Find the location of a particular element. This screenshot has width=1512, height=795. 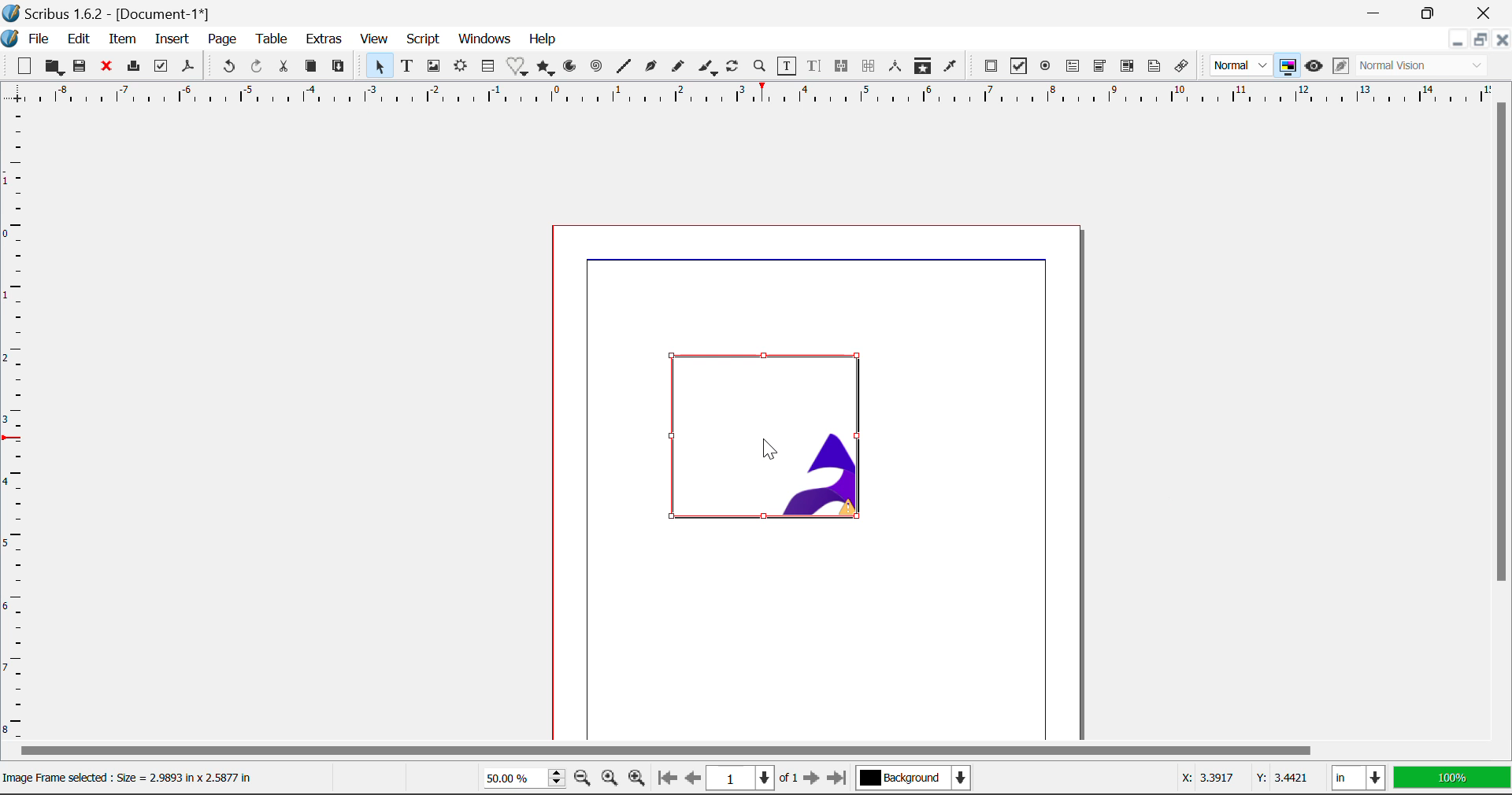

Insert Table is located at coordinates (490, 66).